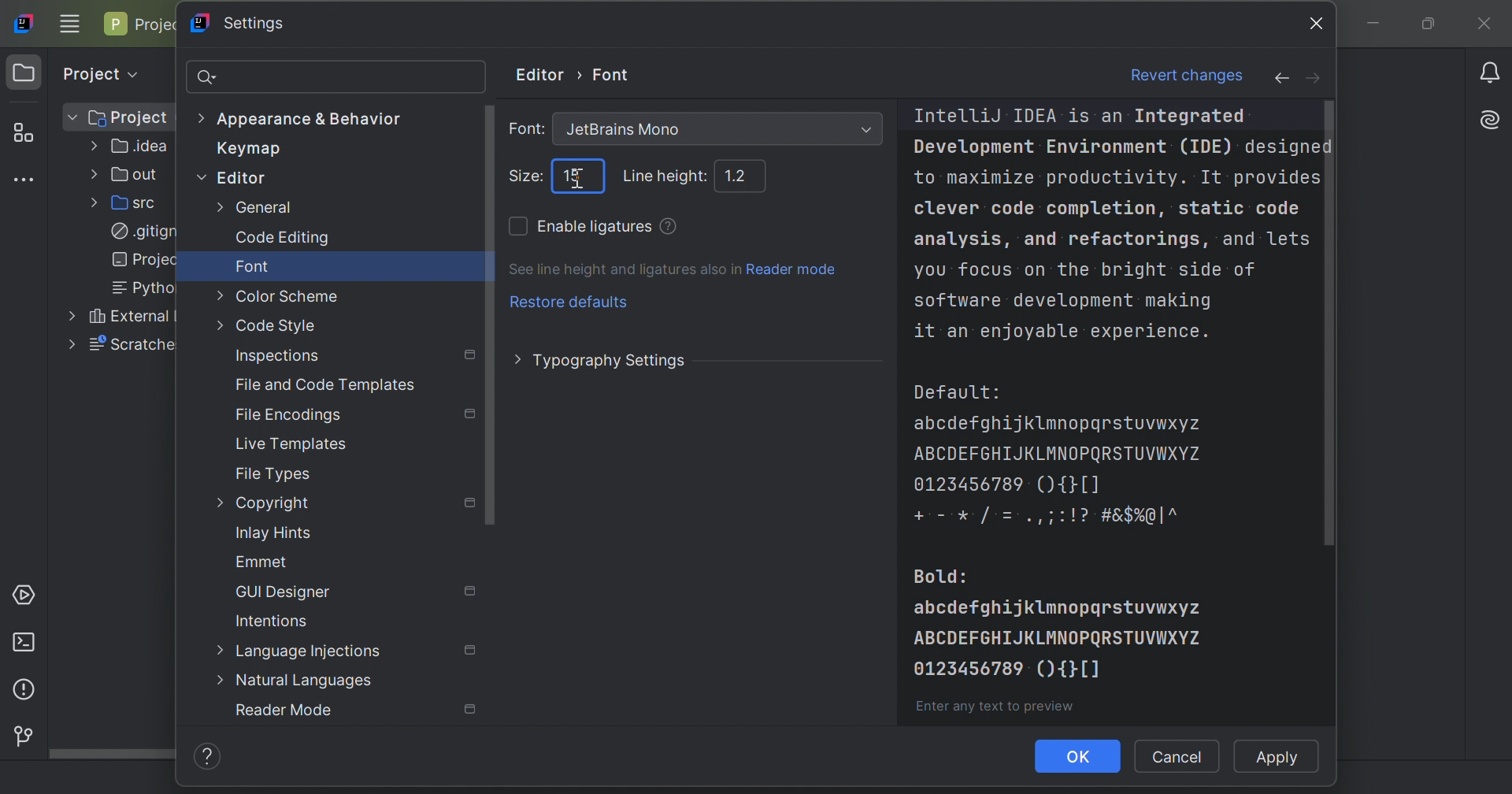  What do you see at coordinates (26, 22) in the screenshot?
I see `IntelliJ IDEA icon` at bounding box center [26, 22].